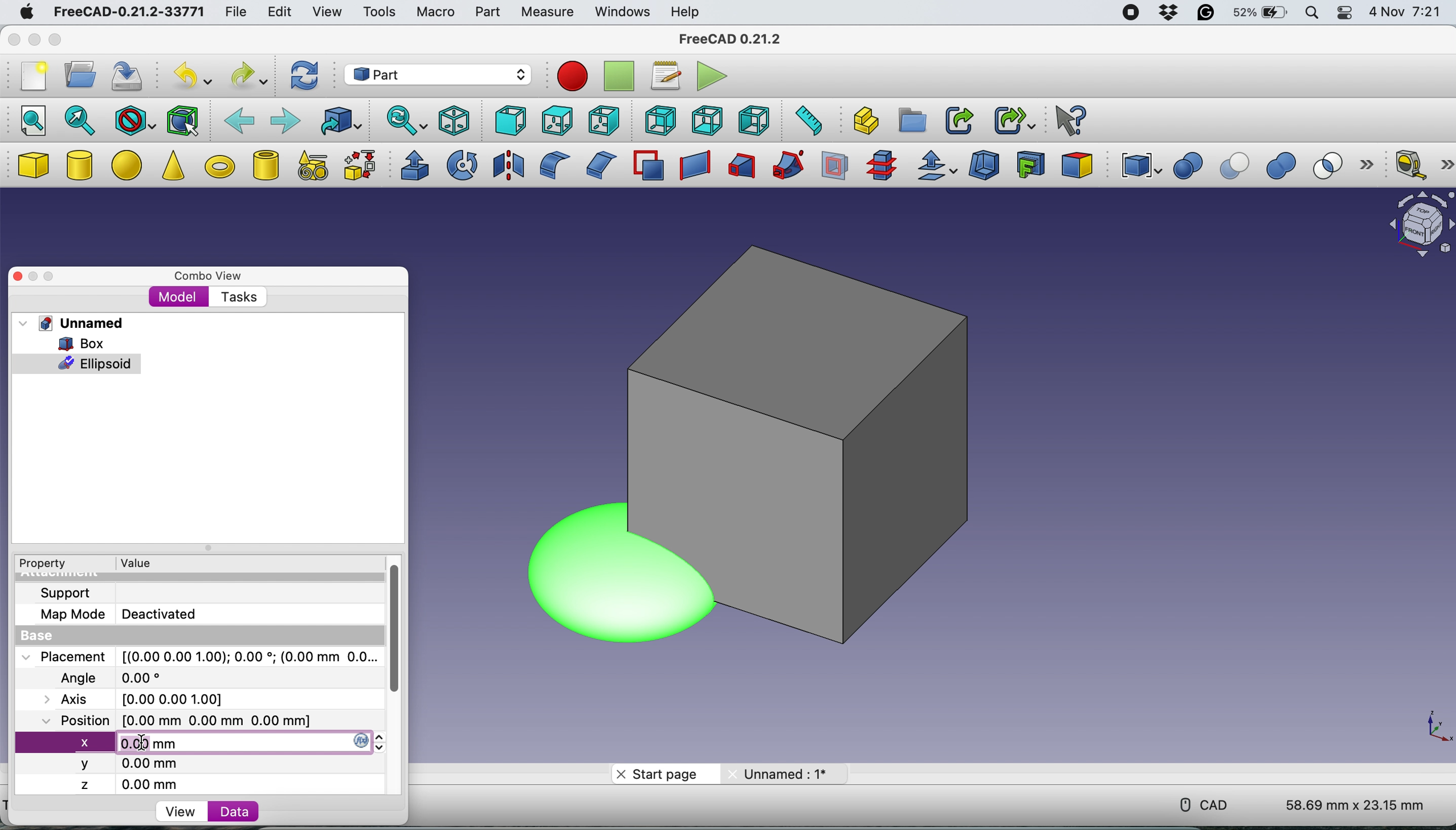  I want to click on model, so click(178, 296).